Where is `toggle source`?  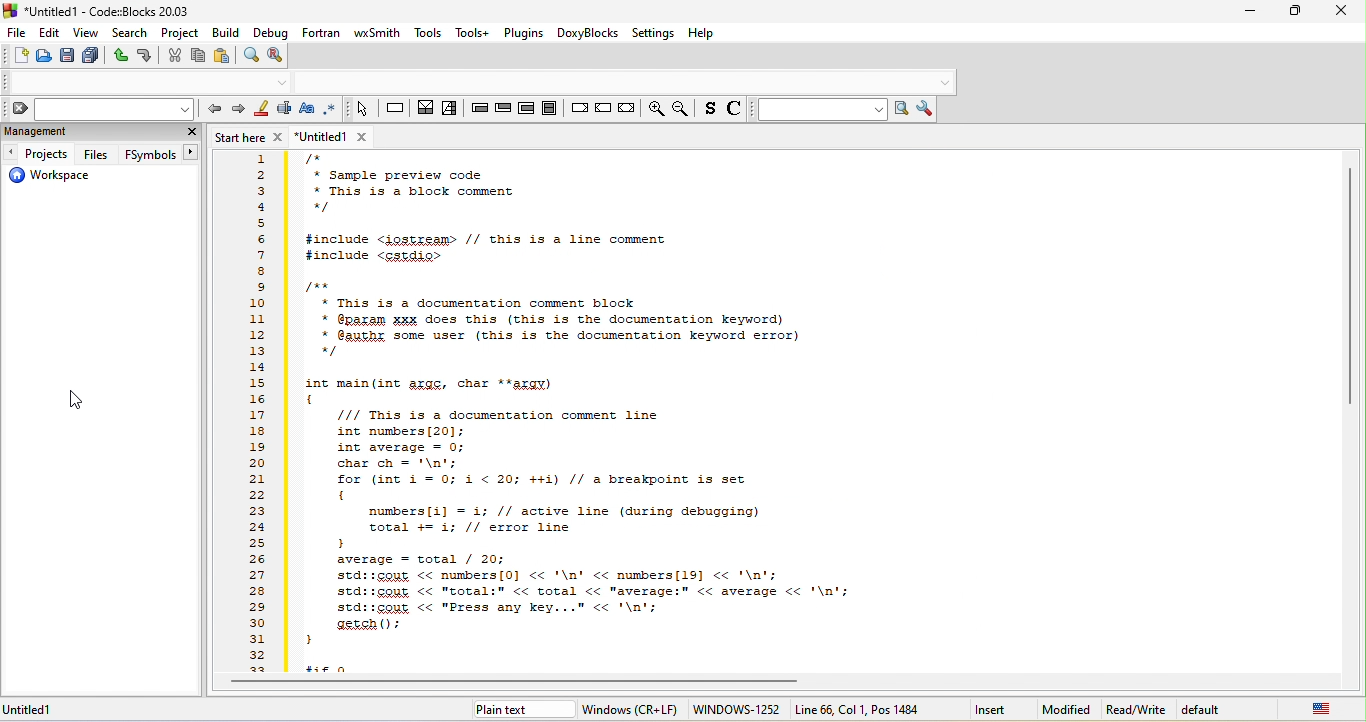 toggle source is located at coordinates (734, 111).